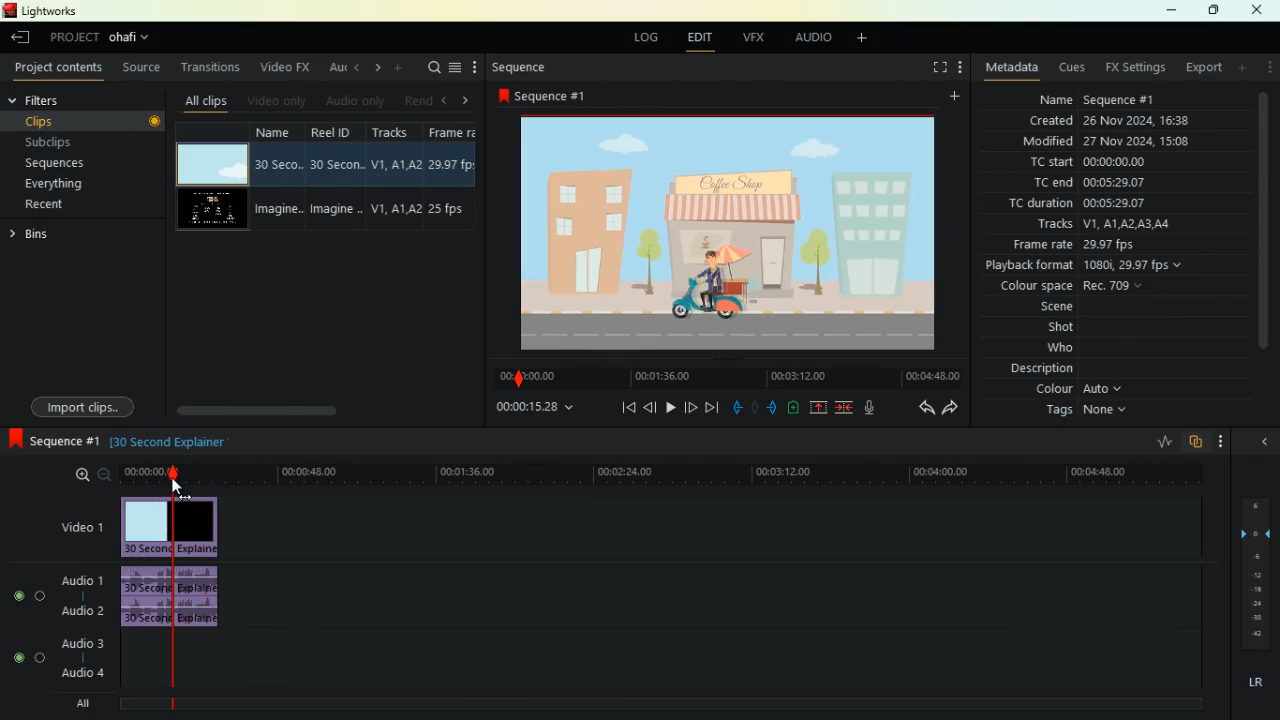  What do you see at coordinates (176, 528) in the screenshot?
I see `video` at bounding box center [176, 528].